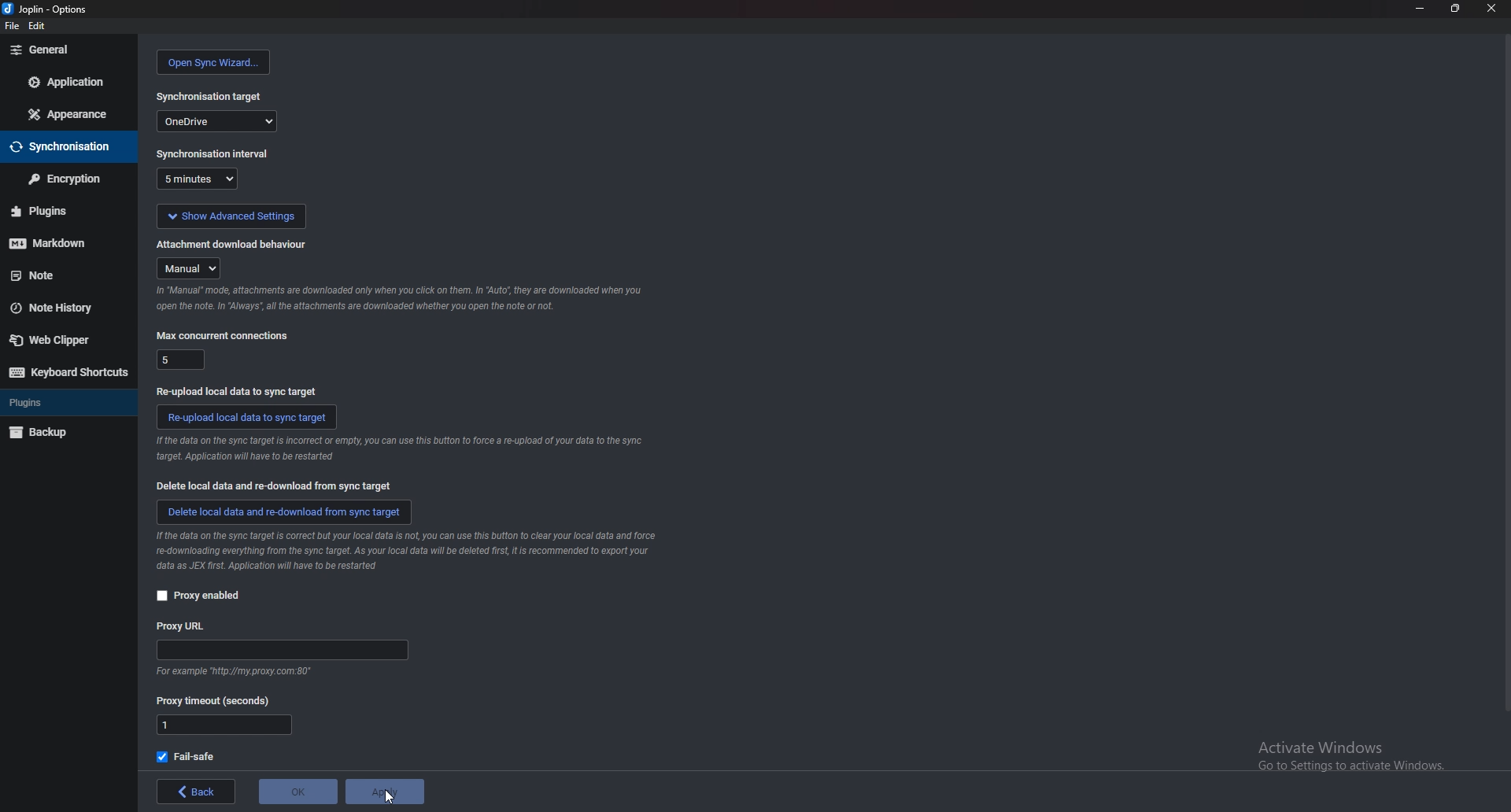  Describe the element at coordinates (242, 391) in the screenshot. I see `re upload local data to sync target` at that location.